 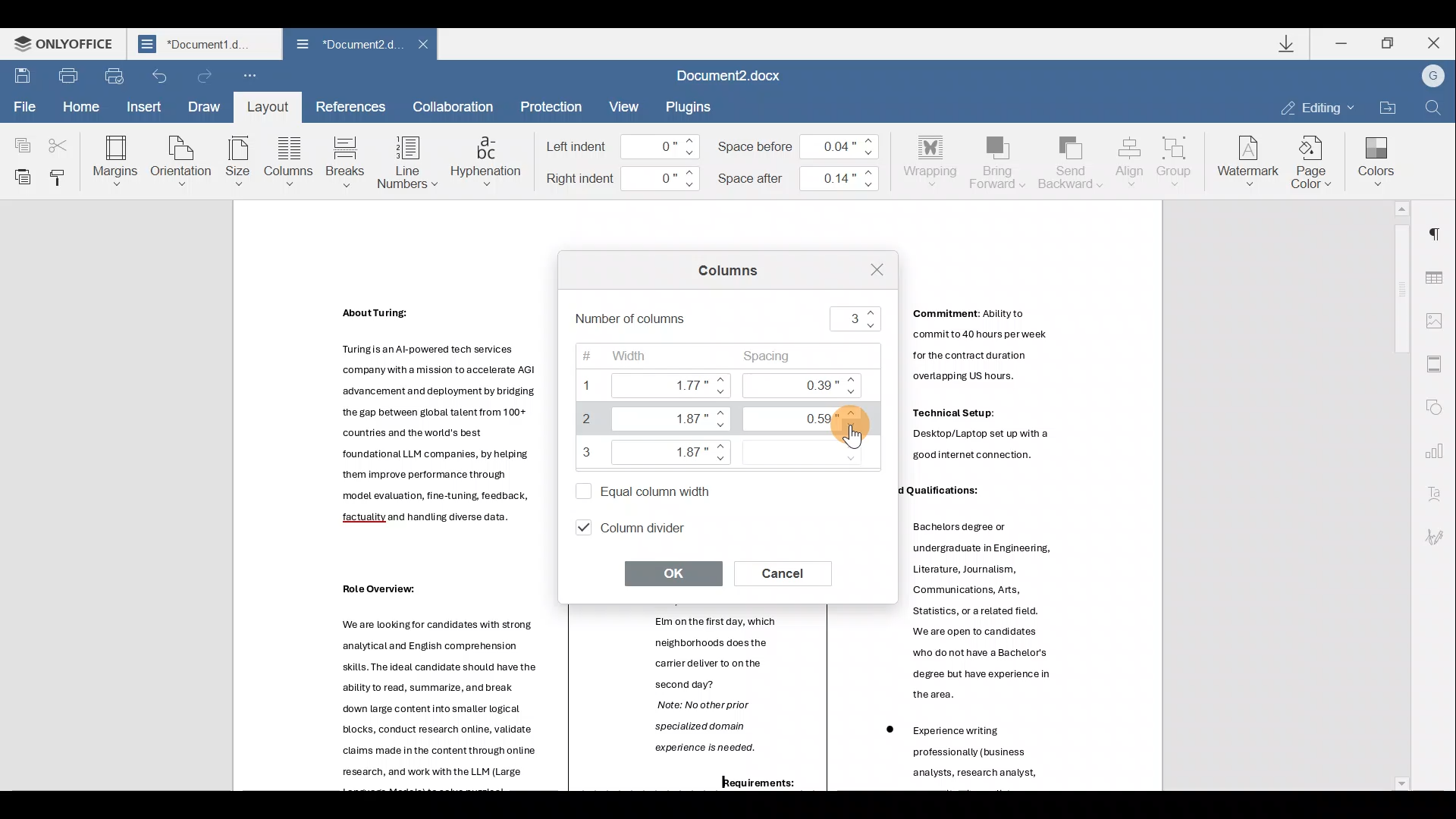 What do you see at coordinates (267, 106) in the screenshot?
I see `Layout` at bounding box center [267, 106].